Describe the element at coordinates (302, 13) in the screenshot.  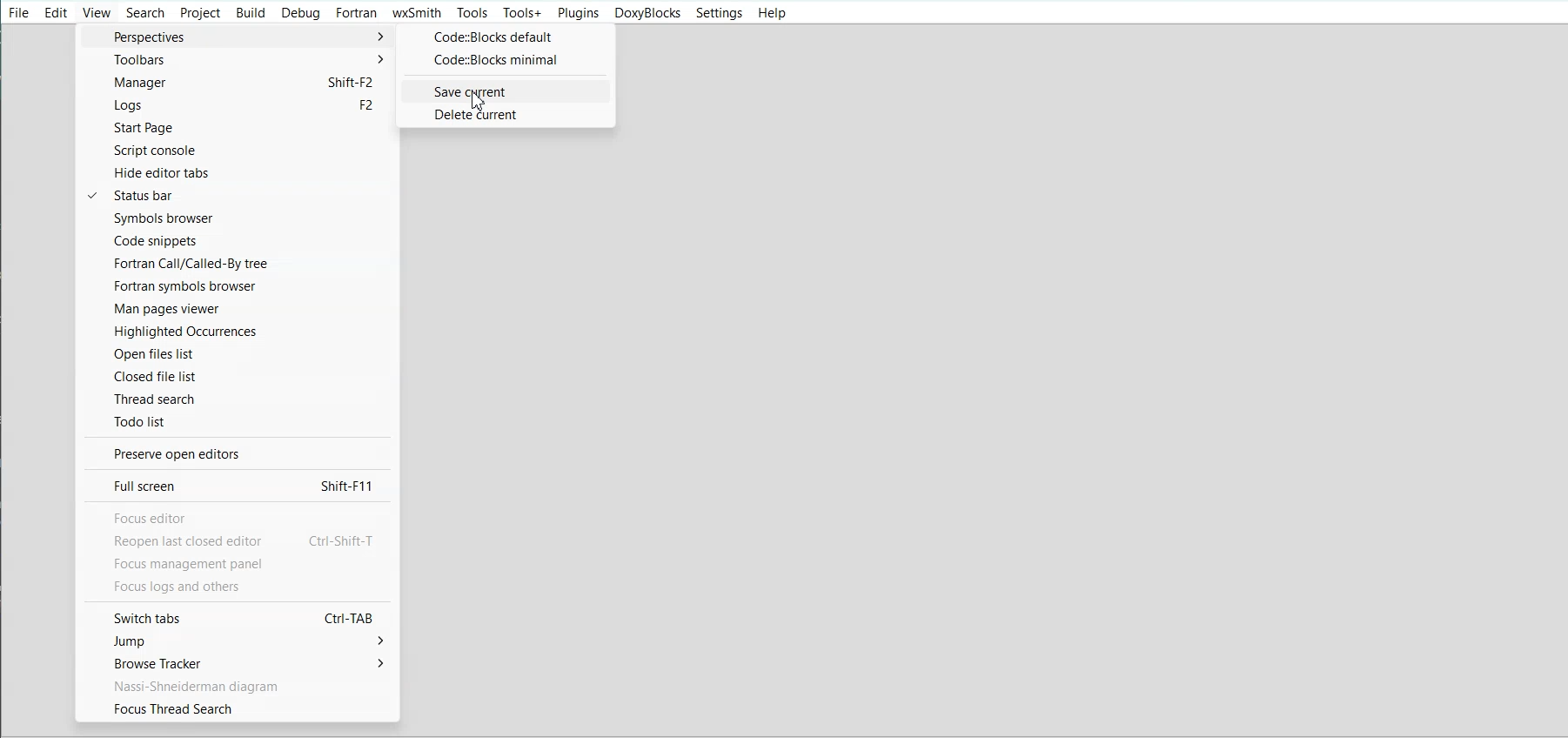
I see `Debug` at that location.